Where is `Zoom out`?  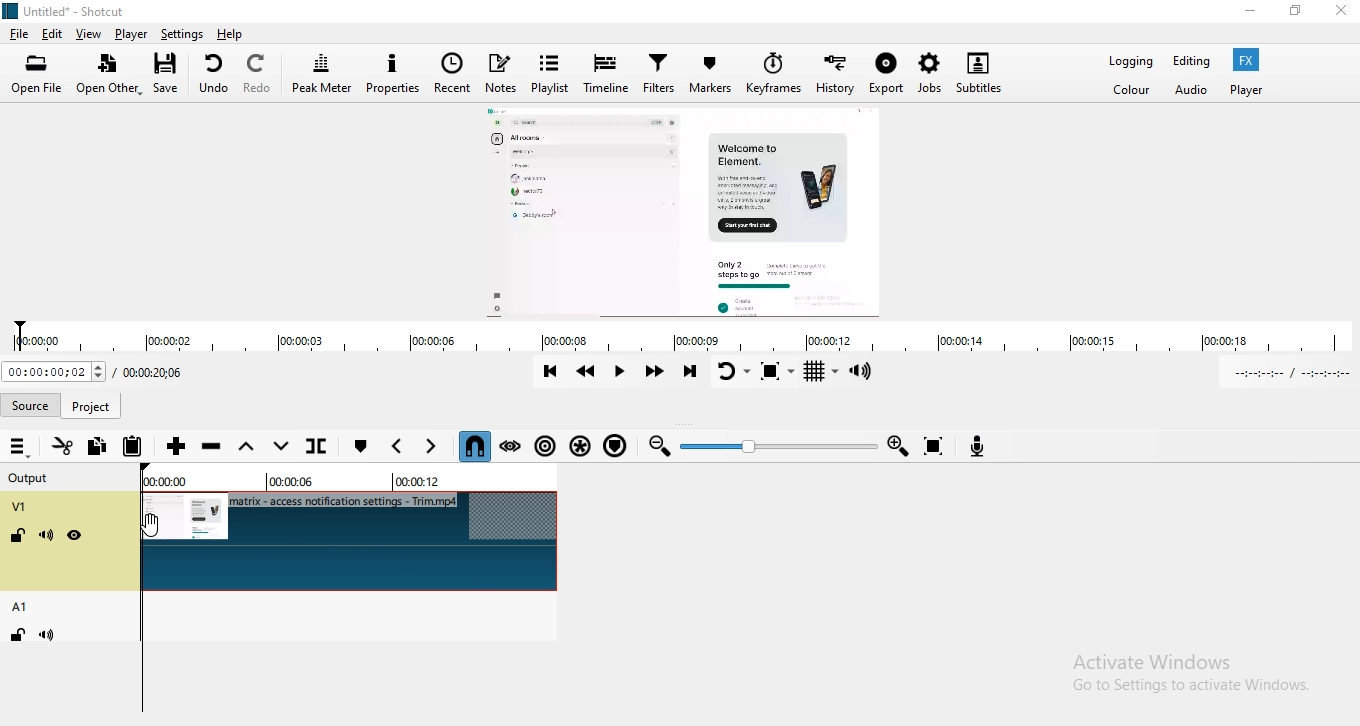 Zoom out is located at coordinates (660, 445).